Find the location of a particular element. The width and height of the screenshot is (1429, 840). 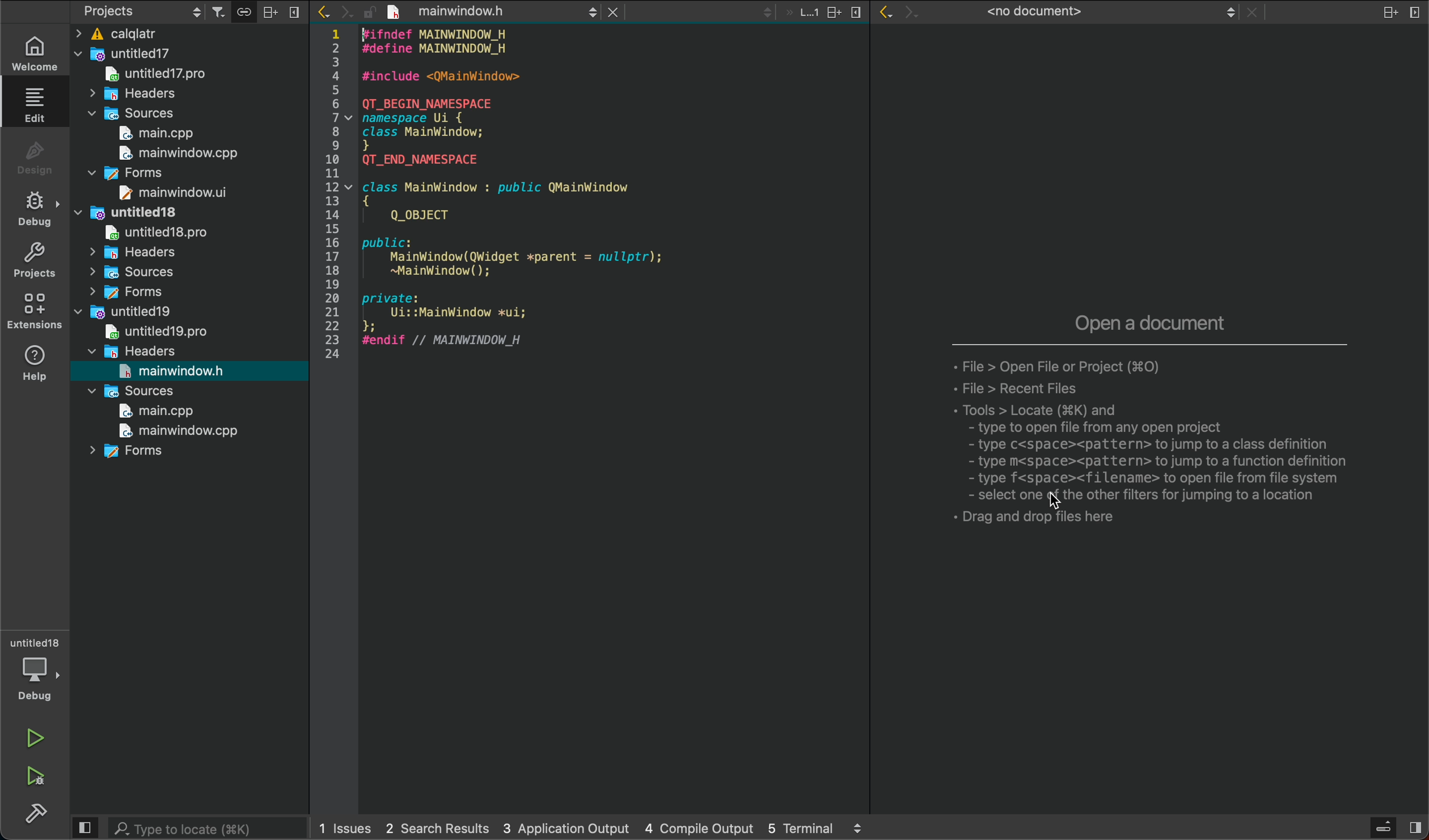

untitled19 is located at coordinates (136, 311).